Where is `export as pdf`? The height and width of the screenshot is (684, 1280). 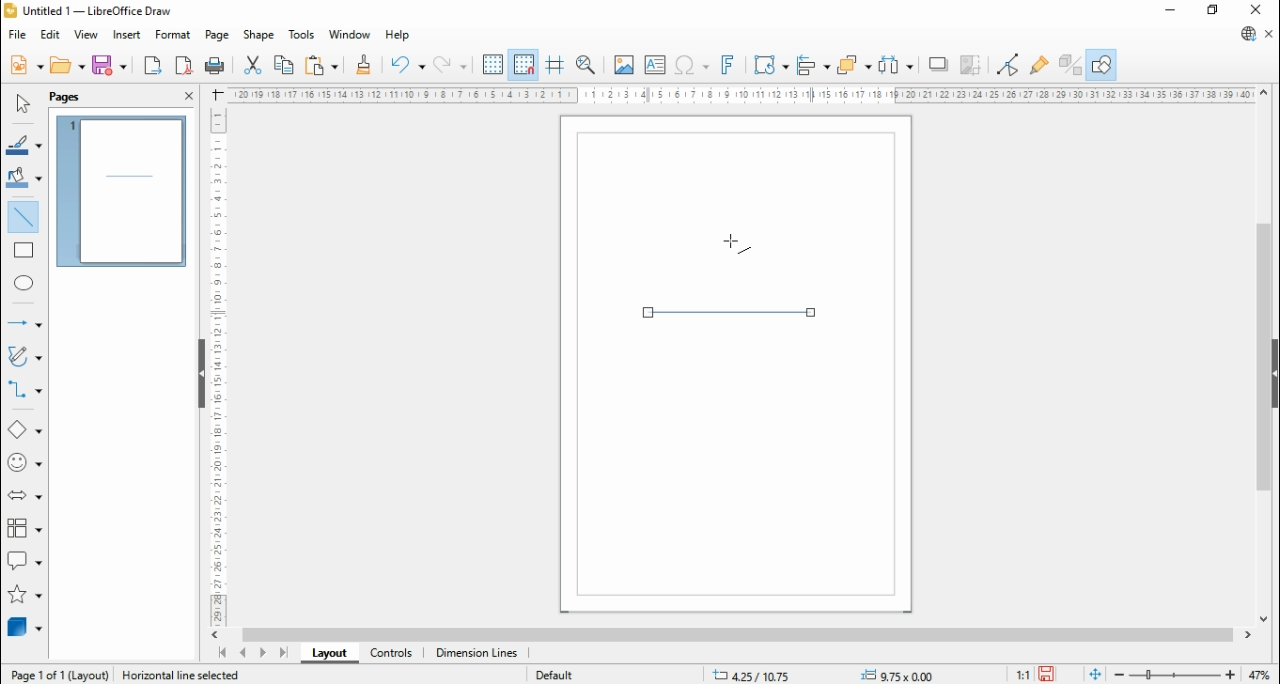 export as pdf is located at coordinates (185, 66).